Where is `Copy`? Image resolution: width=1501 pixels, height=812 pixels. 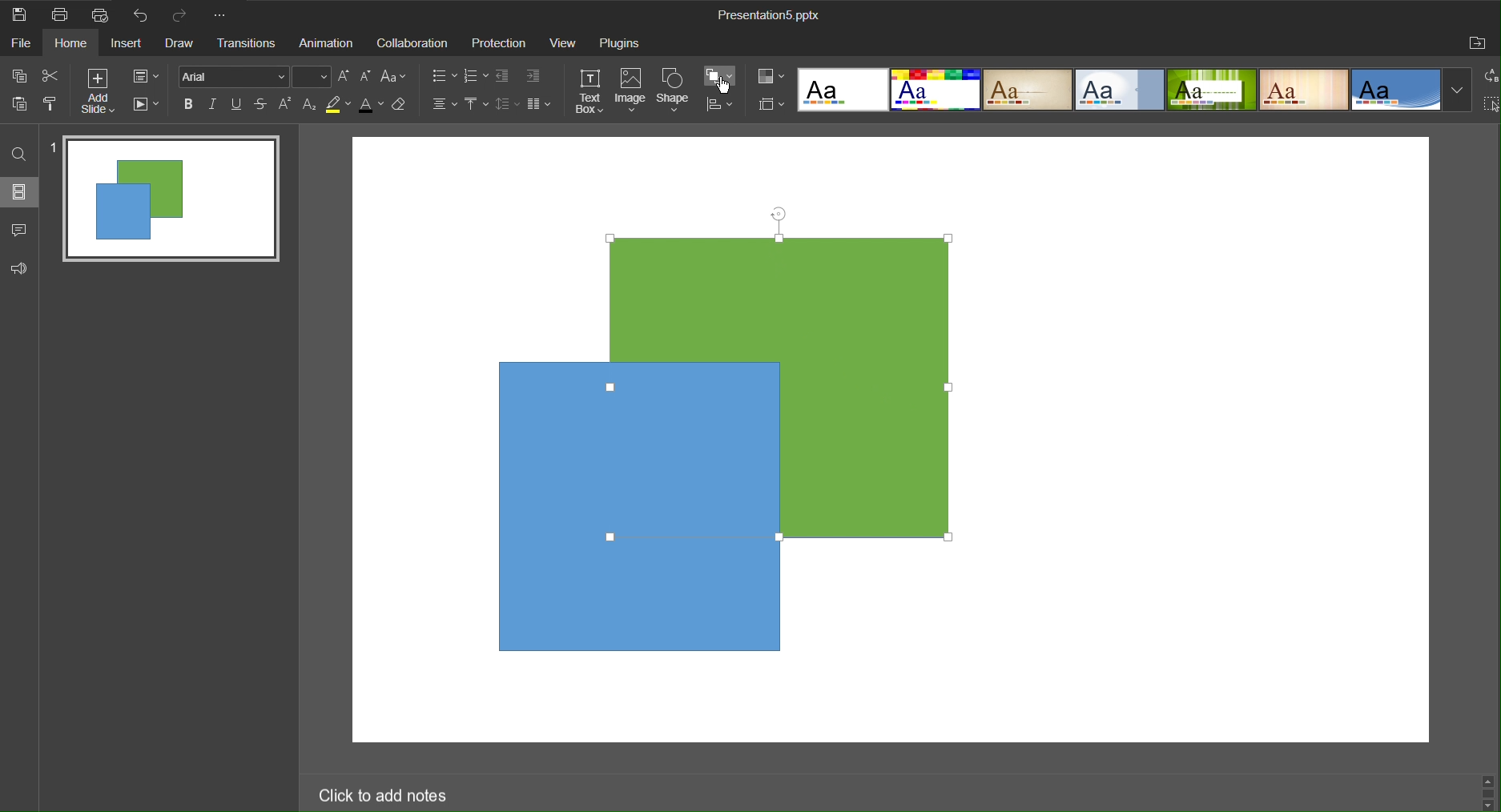
Copy is located at coordinates (17, 74).